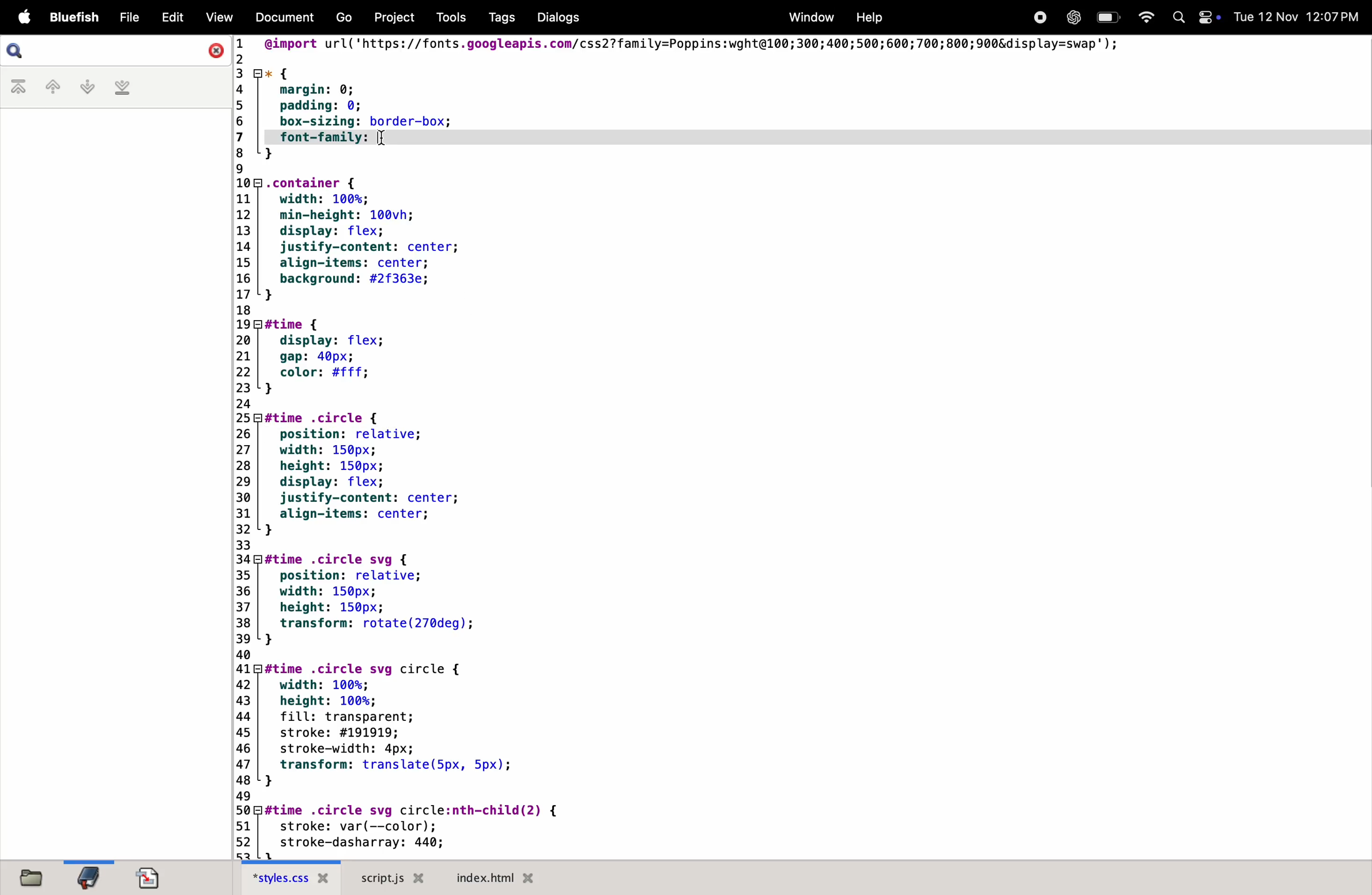 This screenshot has width=1372, height=895. Describe the element at coordinates (497, 18) in the screenshot. I see `tags` at that location.